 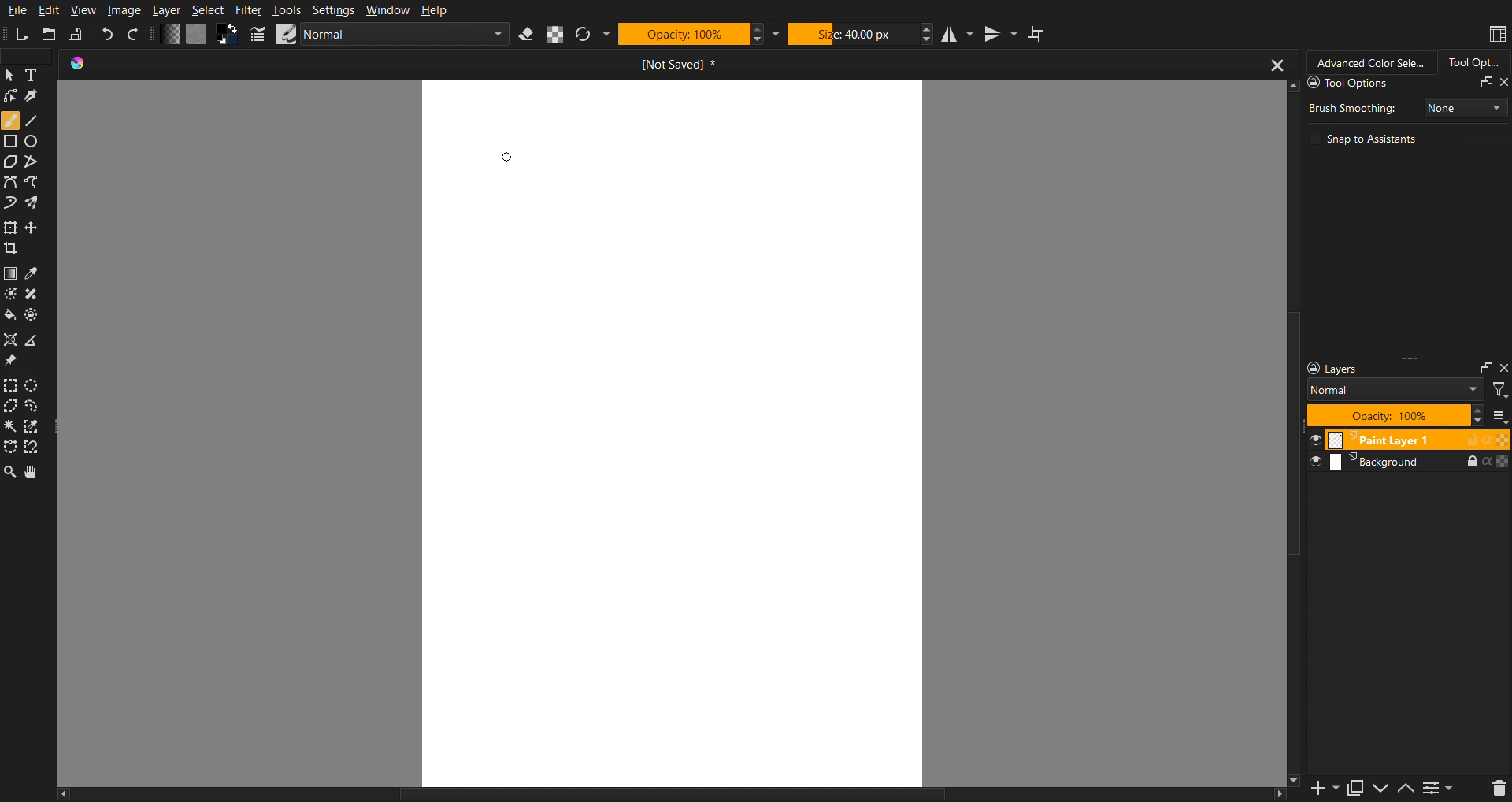 I want to click on Custom Shape Marquee Tool, so click(x=39, y=408).